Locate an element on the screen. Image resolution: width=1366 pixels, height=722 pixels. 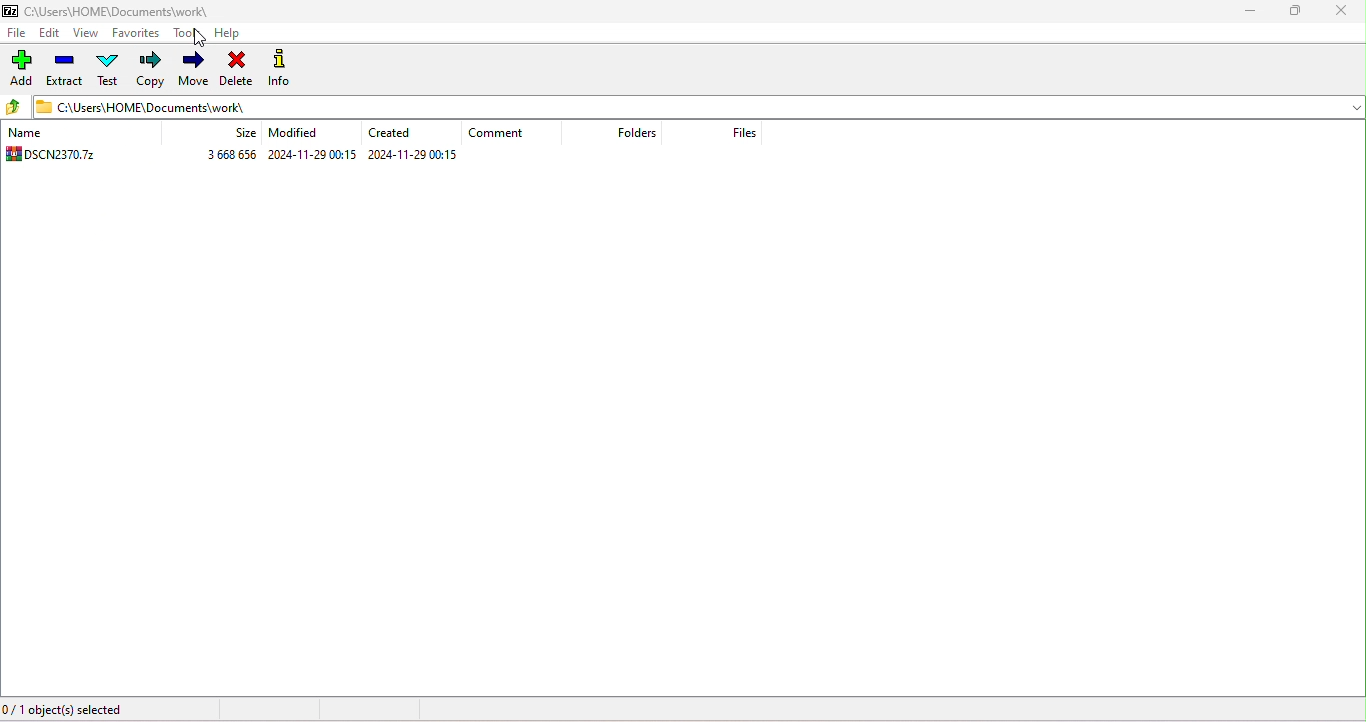
c:\users\home\documents\work\ is located at coordinates (593, 108).